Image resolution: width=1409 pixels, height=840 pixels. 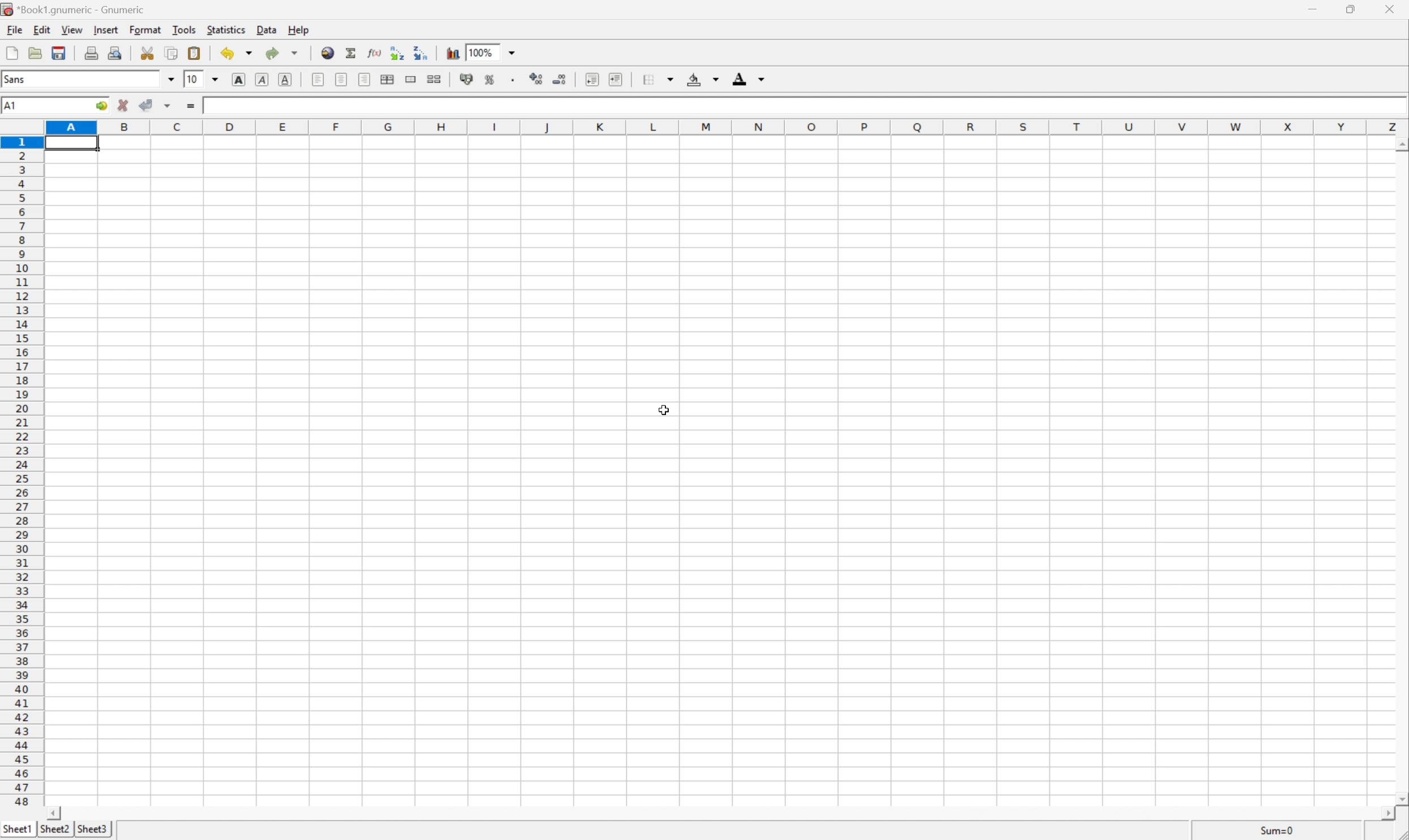 I want to click on Sort the selected region in descending order based on the first column selected, so click(x=420, y=52).